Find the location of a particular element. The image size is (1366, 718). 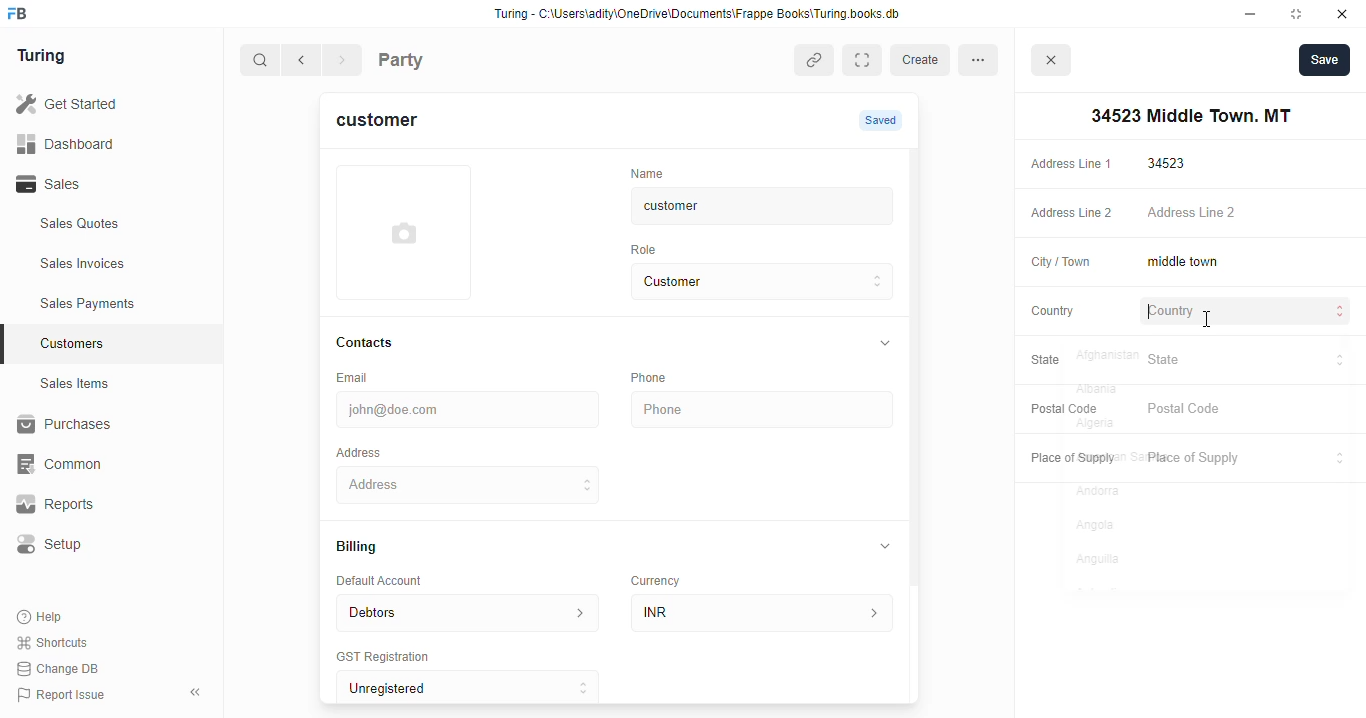

Email is located at coordinates (356, 376).